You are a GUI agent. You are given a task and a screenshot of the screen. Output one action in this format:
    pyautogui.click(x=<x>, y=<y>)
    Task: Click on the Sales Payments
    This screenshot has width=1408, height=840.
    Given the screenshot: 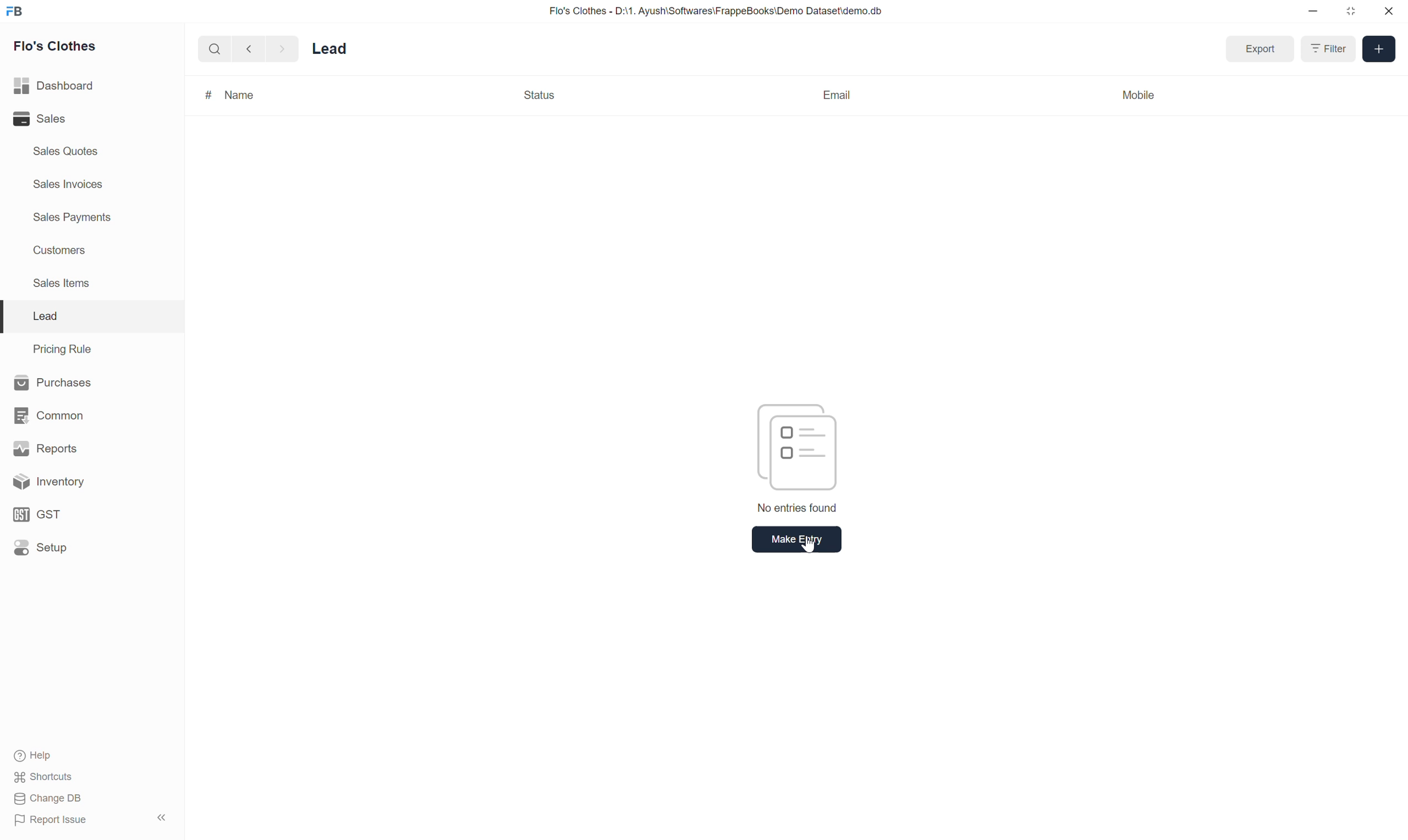 What is the action you would take?
    pyautogui.click(x=74, y=218)
    